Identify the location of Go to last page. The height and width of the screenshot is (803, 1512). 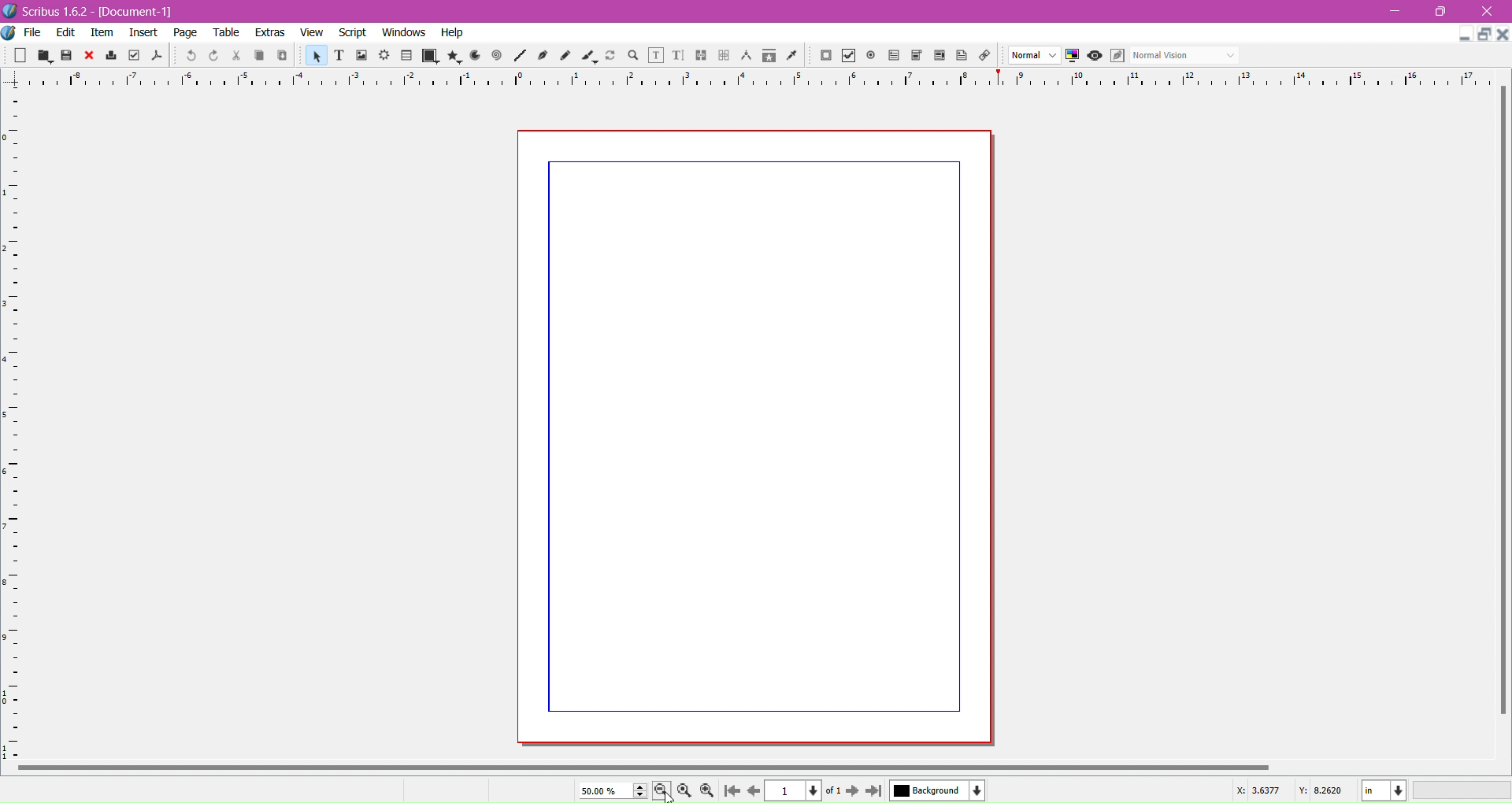
(874, 792).